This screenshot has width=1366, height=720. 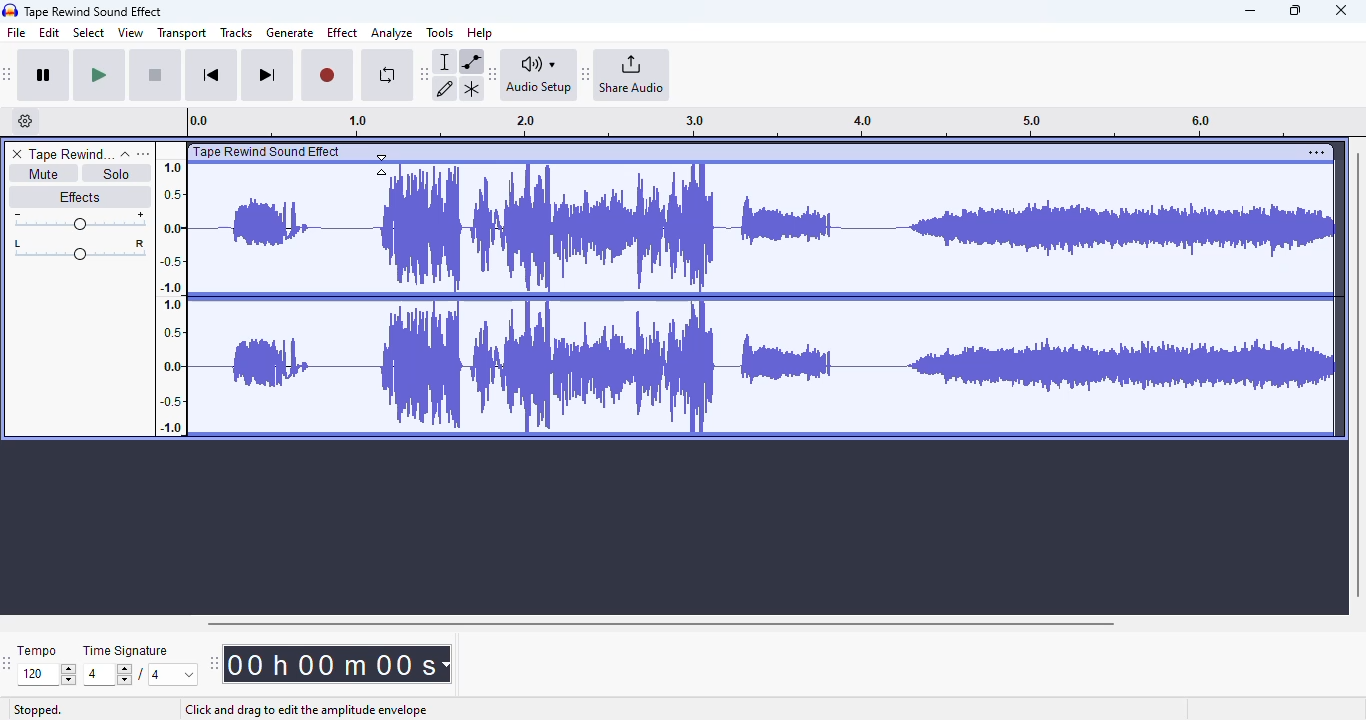 What do you see at coordinates (425, 73) in the screenshot?
I see `Move audacity tools toolbar` at bounding box center [425, 73].